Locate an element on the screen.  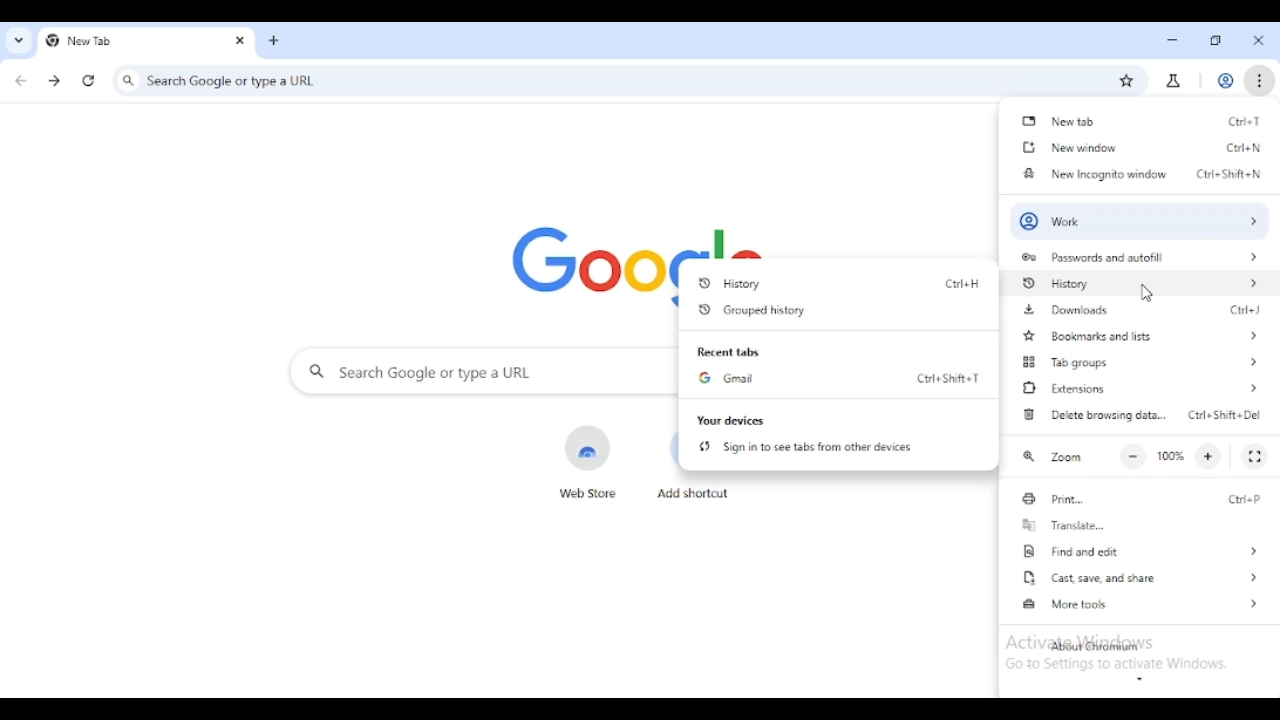
profile is located at coordinates (1226, 81).